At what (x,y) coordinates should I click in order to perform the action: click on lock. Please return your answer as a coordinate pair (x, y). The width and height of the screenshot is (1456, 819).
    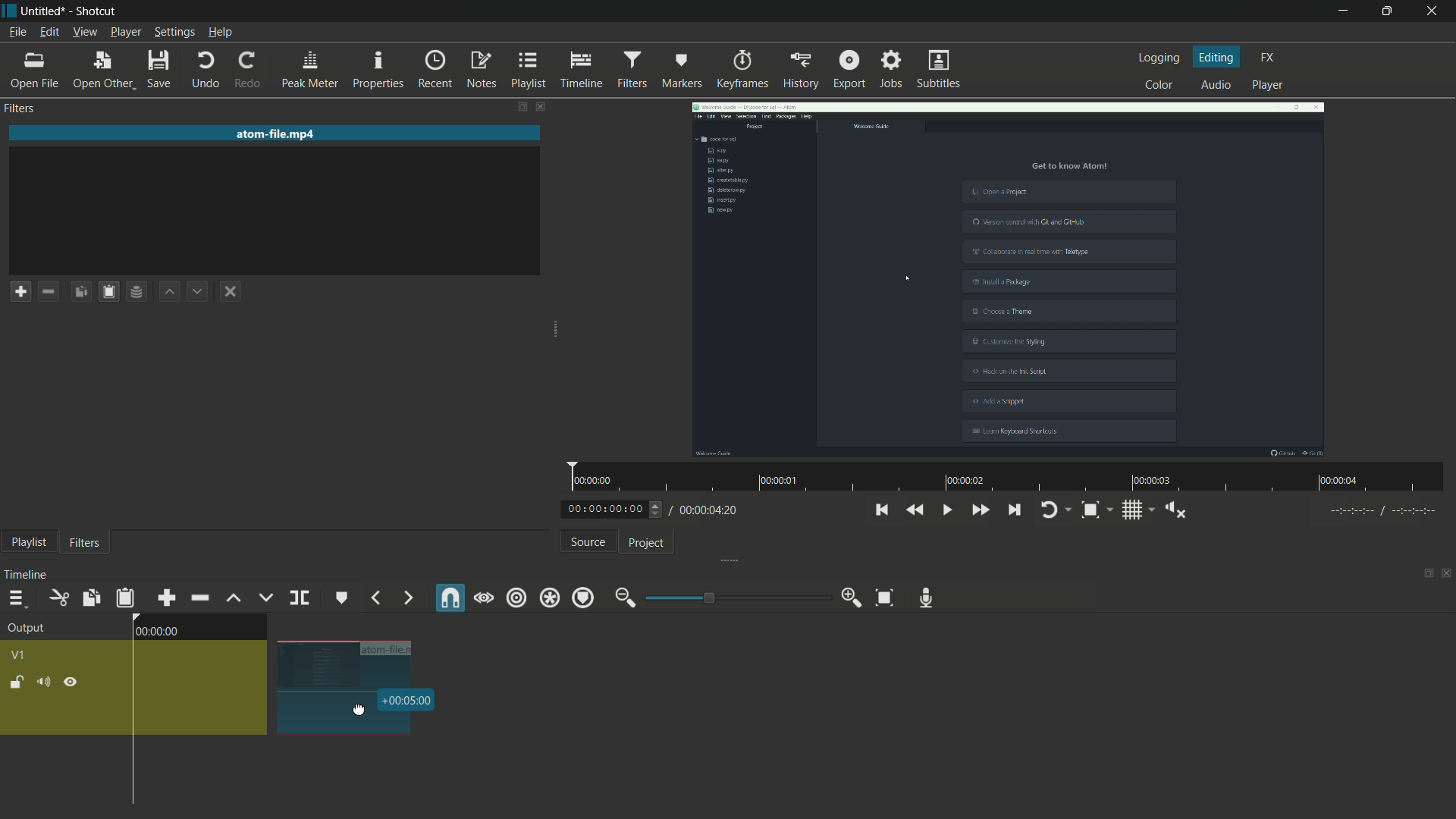
    Looking at the image, I should click on (15, 682).